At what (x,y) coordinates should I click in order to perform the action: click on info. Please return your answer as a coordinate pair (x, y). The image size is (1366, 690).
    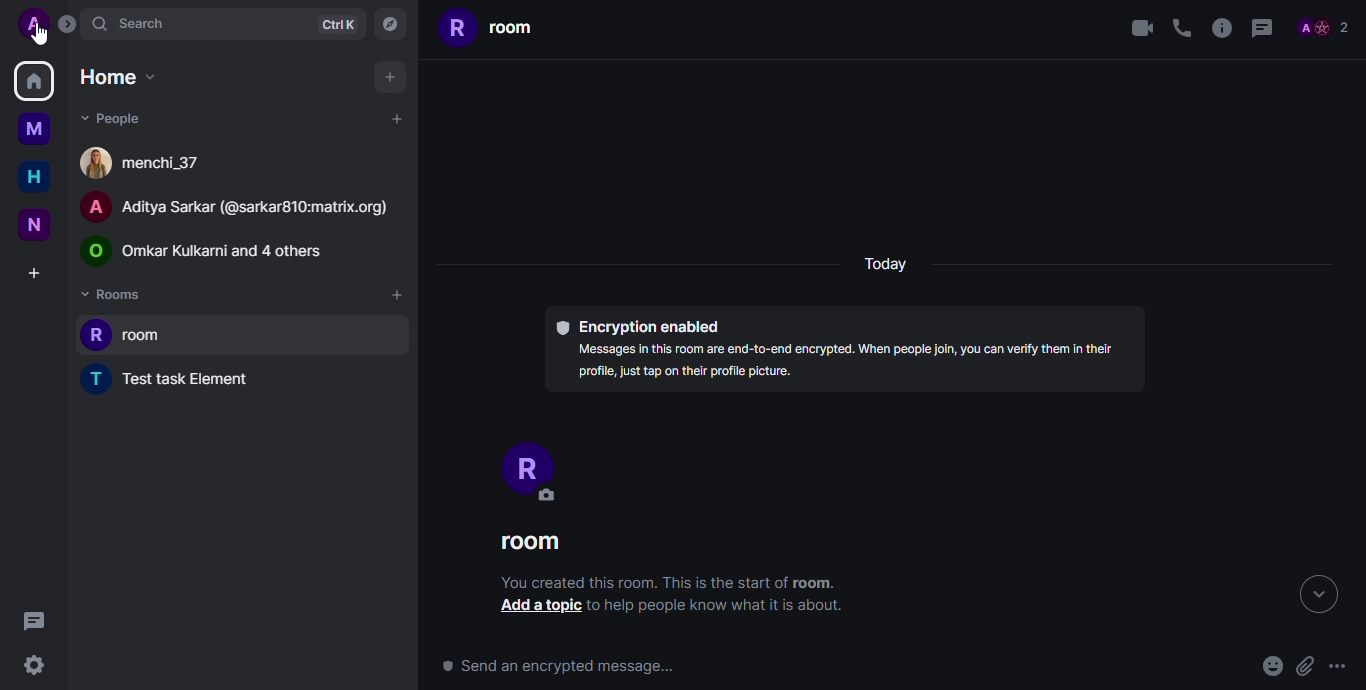
    Looking at the image, I should click on (663, 582).